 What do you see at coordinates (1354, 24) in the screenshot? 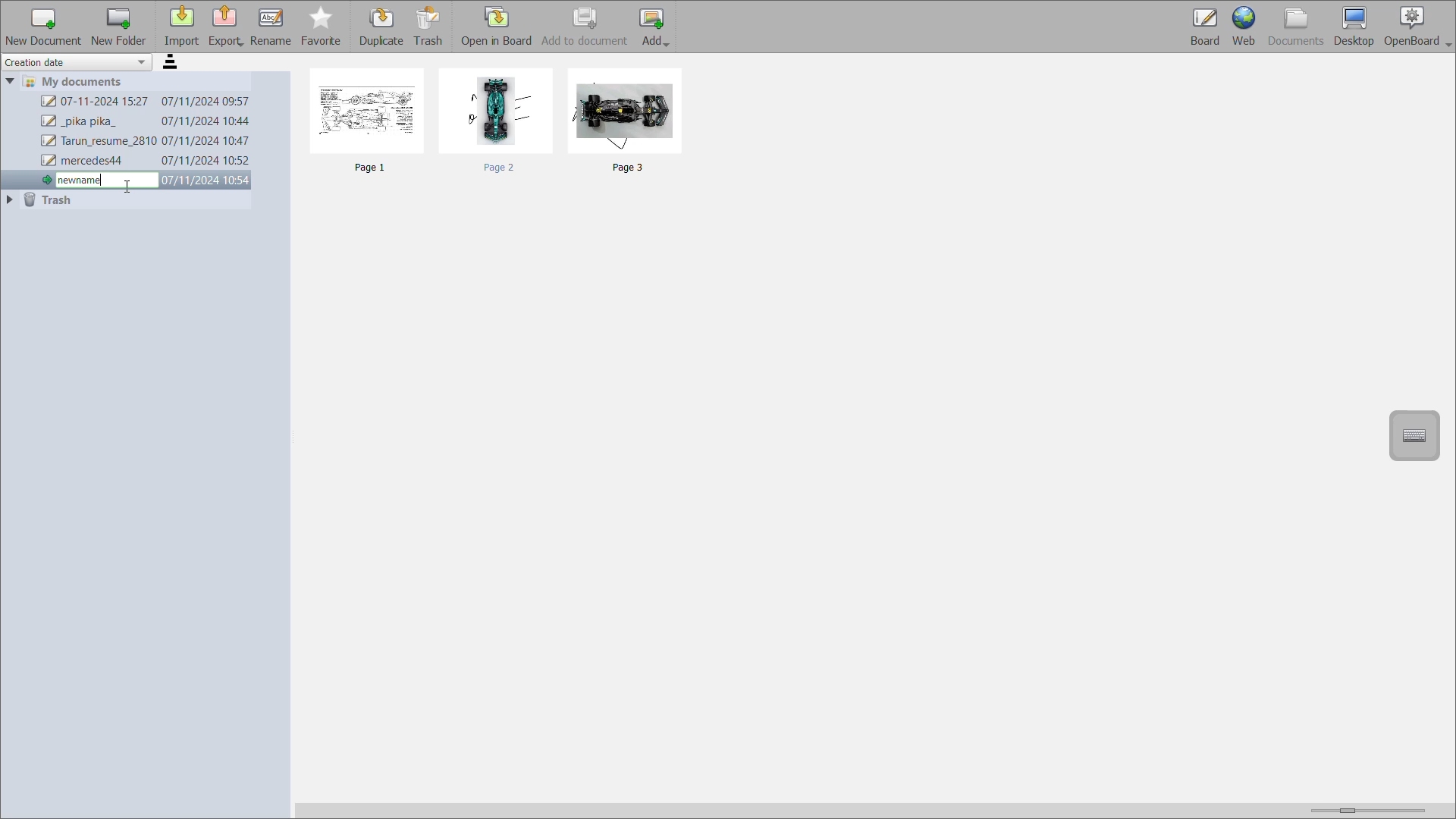
I see `desktop` at bounding box center [1354, 24].